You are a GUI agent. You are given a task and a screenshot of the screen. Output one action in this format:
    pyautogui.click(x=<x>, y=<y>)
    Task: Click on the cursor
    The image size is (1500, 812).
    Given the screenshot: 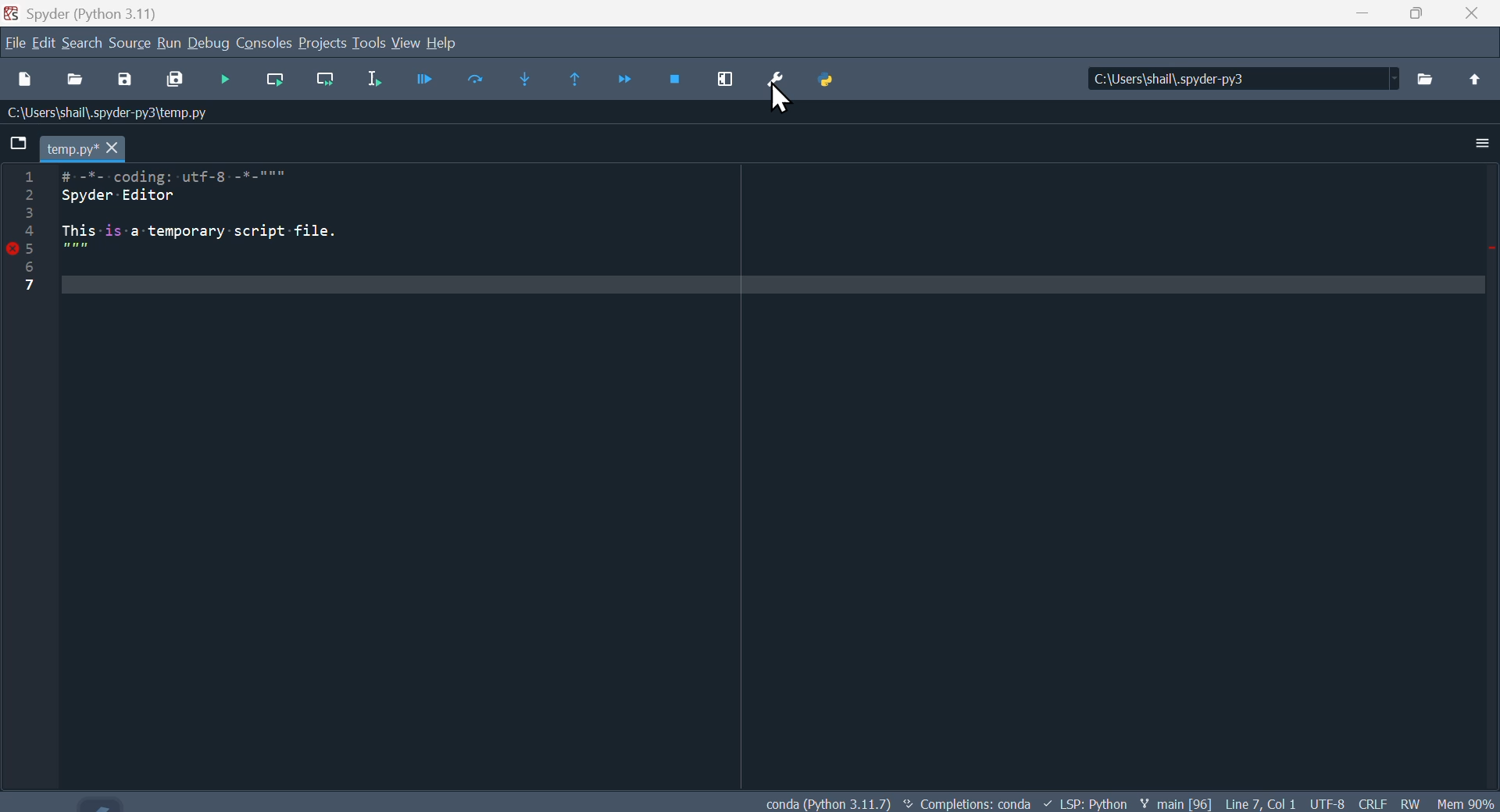 What is the action you would take?
    pyautogui.click(x=781, y=103)
    